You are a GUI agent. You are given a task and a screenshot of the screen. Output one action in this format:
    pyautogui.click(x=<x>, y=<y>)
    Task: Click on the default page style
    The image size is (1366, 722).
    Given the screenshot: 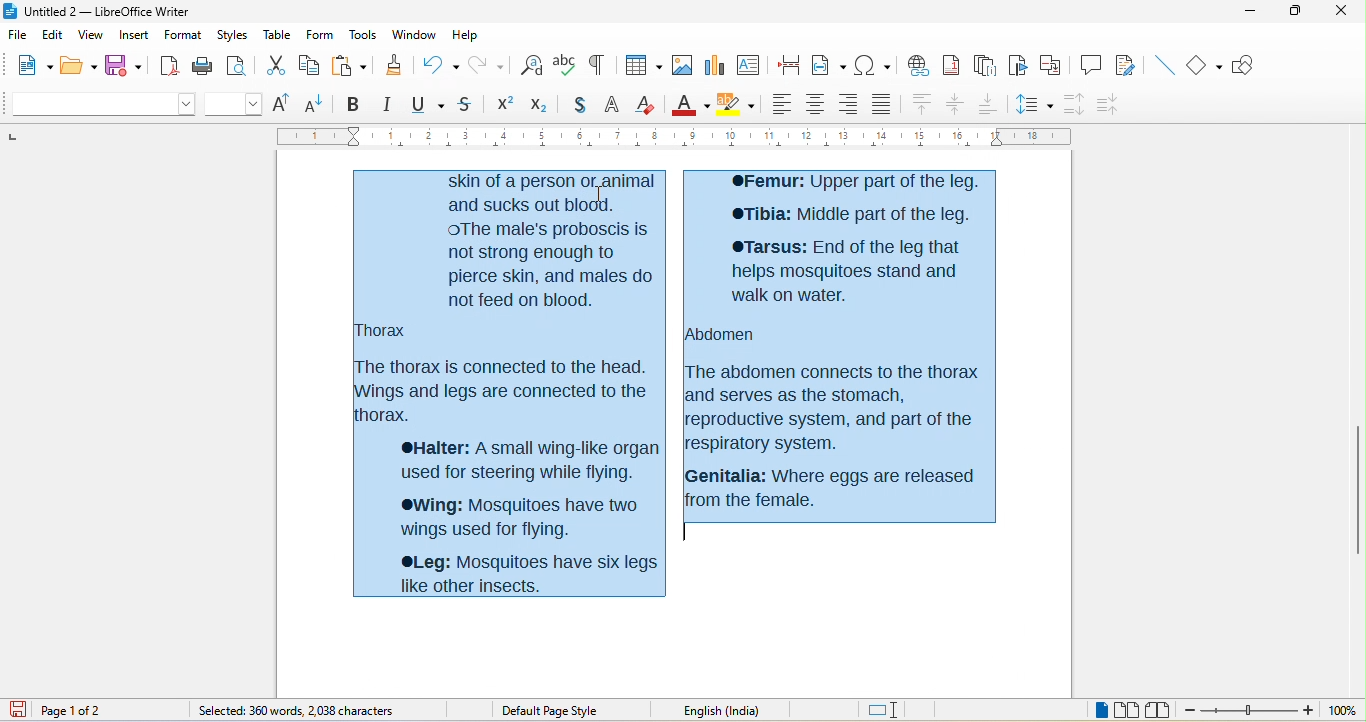 What is the action you would take?
    pyautogui.click(x=553, y=712)
    